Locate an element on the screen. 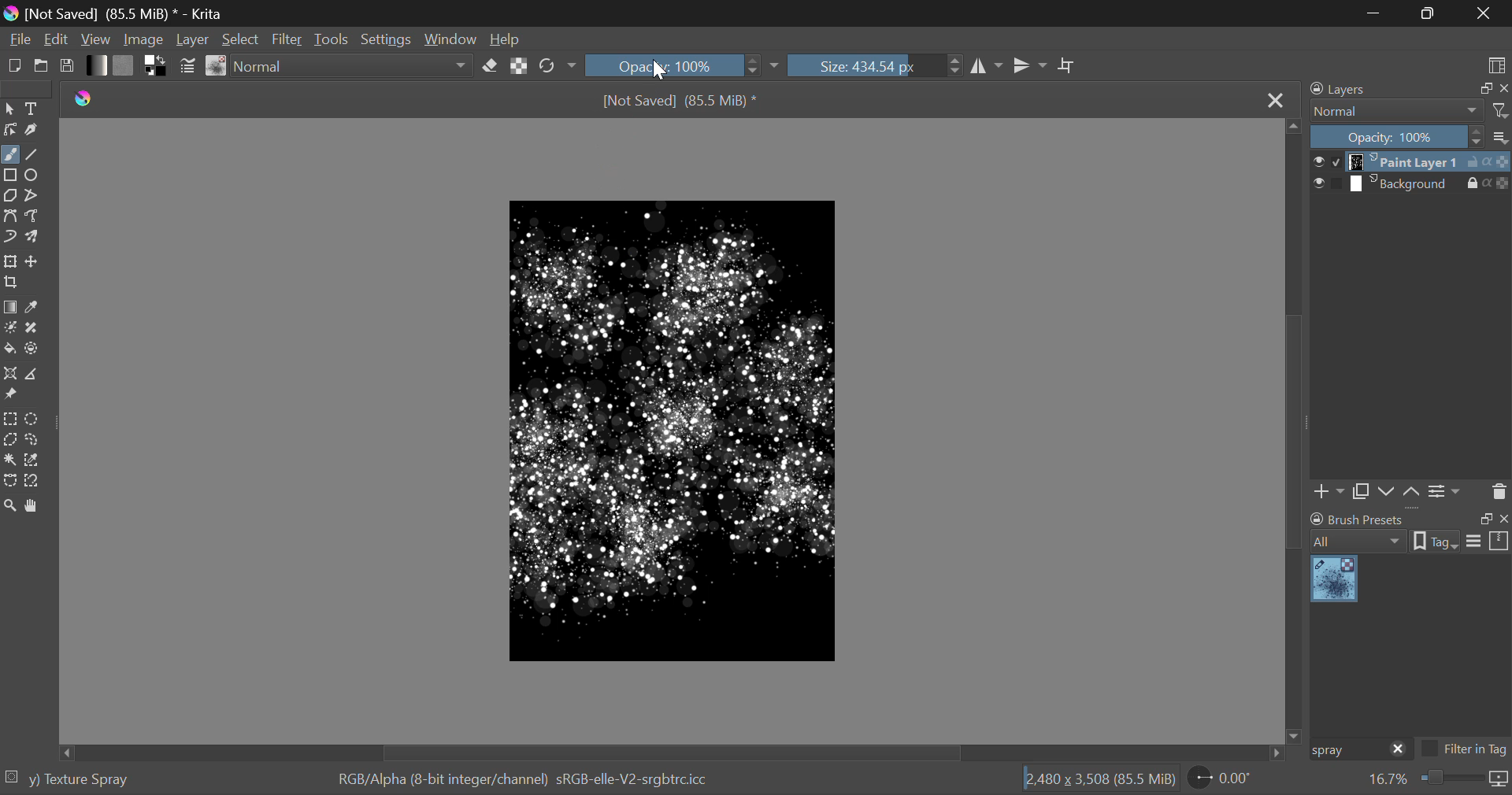  Magnetic Selection is located at coordinates (37, 482).